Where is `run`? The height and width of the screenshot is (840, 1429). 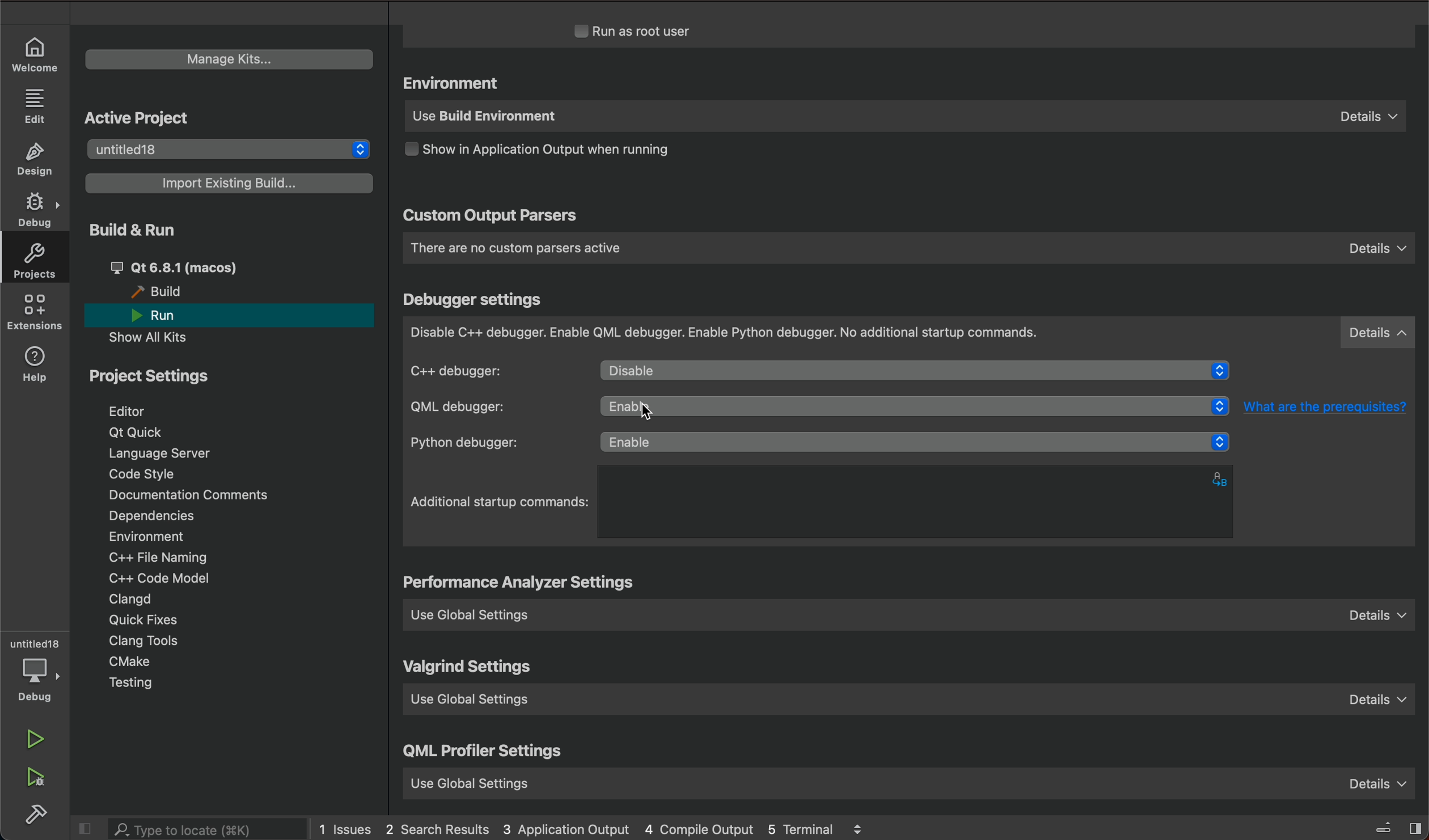 run is located at coordinates (166, 316).